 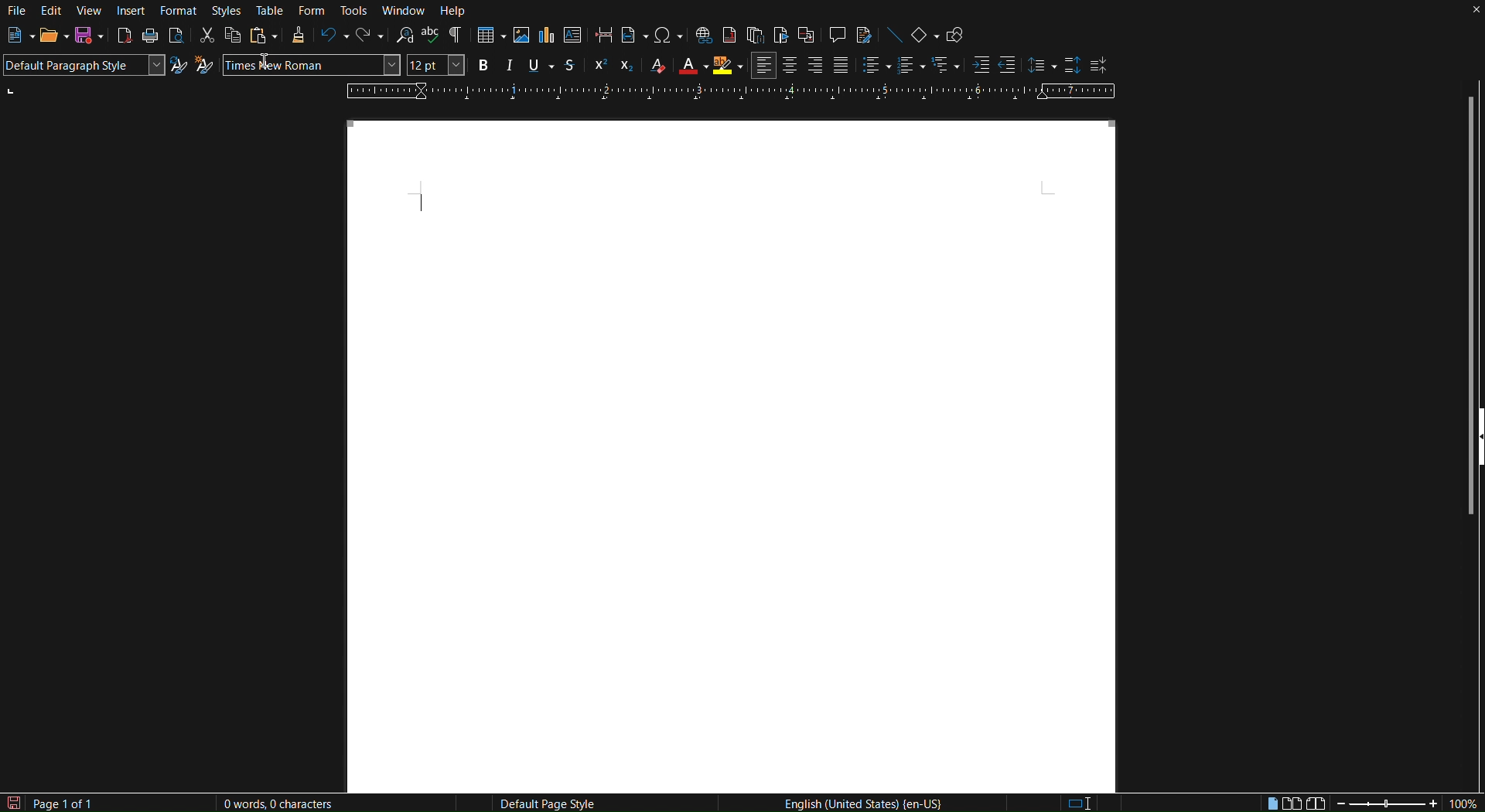 I want to click on Insert textbox, so click(x=573, y=35).